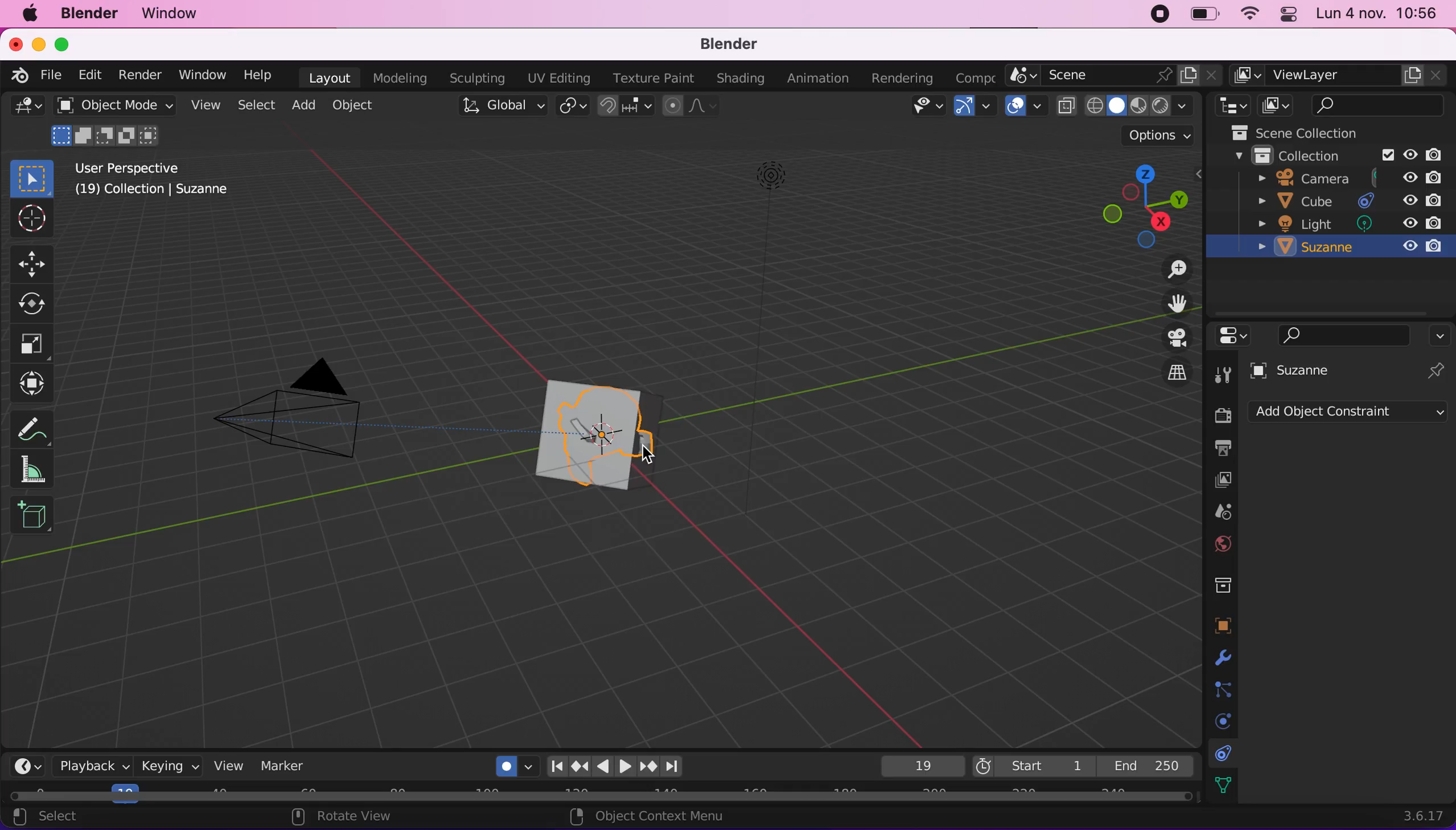 This screenshot has width=1456, height=830. What do you see at coordinates (1220, 510) in the screenshot?
I see `scene` at bounding box center [1220, 510].